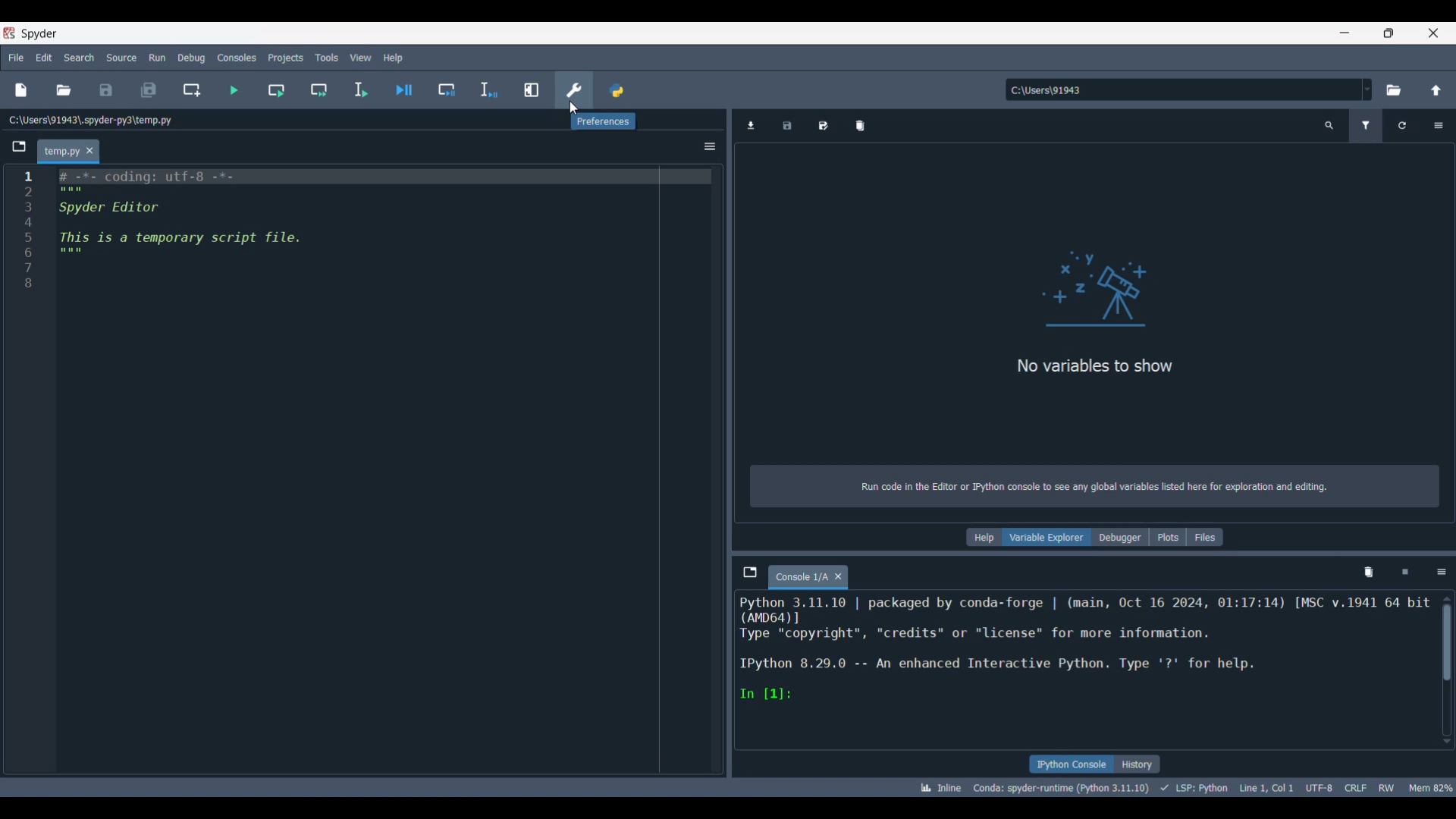 The width and height of the screenshot is (1456, 819). Describe the element at coordinates (106, 90) in the screenshot. I see `Save file` at that location.